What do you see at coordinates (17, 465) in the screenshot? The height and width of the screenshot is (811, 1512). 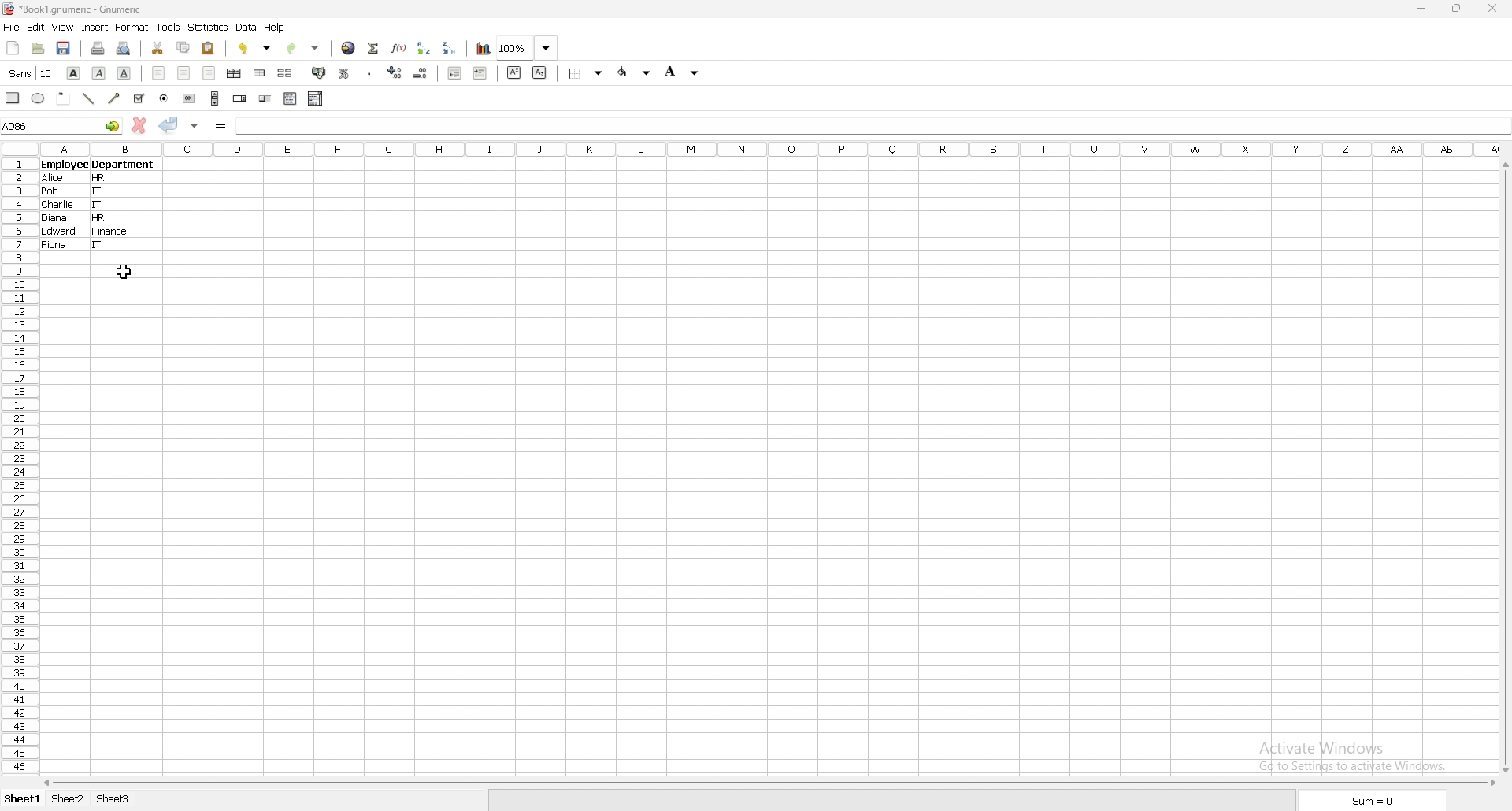 I see `rows` at bounding box center [17, 465].